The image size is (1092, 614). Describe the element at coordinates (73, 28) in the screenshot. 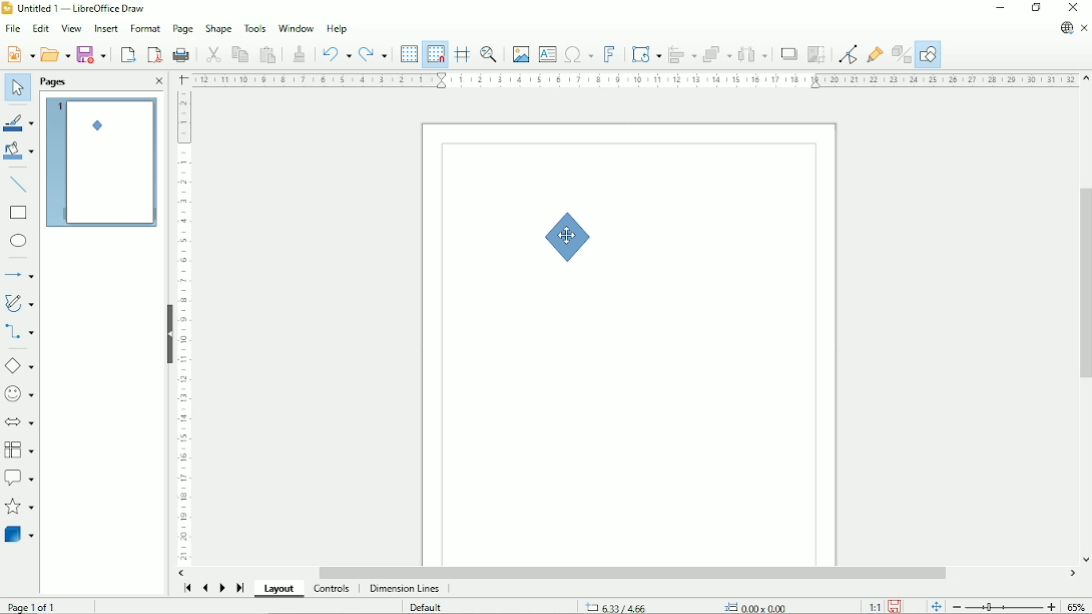

I see `View` at that location.